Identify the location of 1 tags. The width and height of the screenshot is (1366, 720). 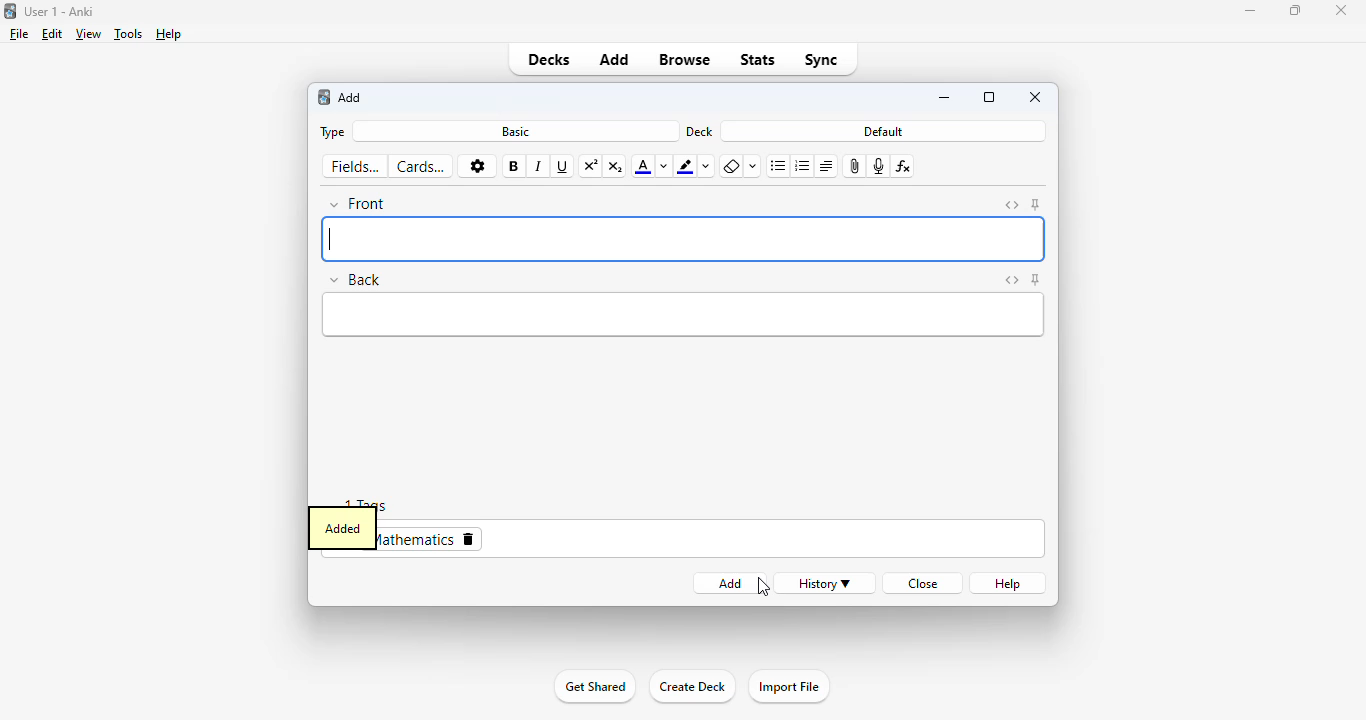
(353, 502).